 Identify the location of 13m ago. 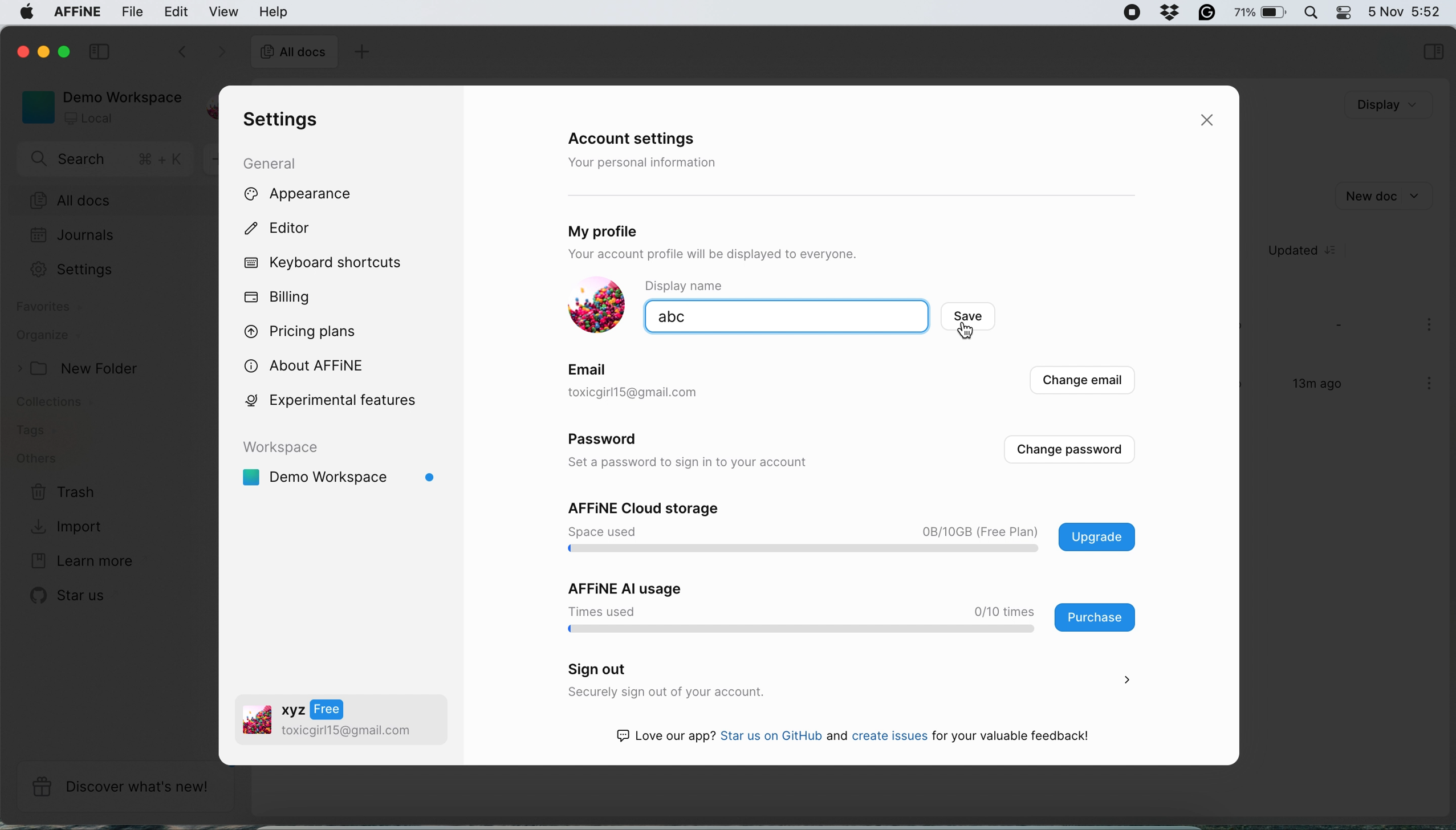
(1309, 389).